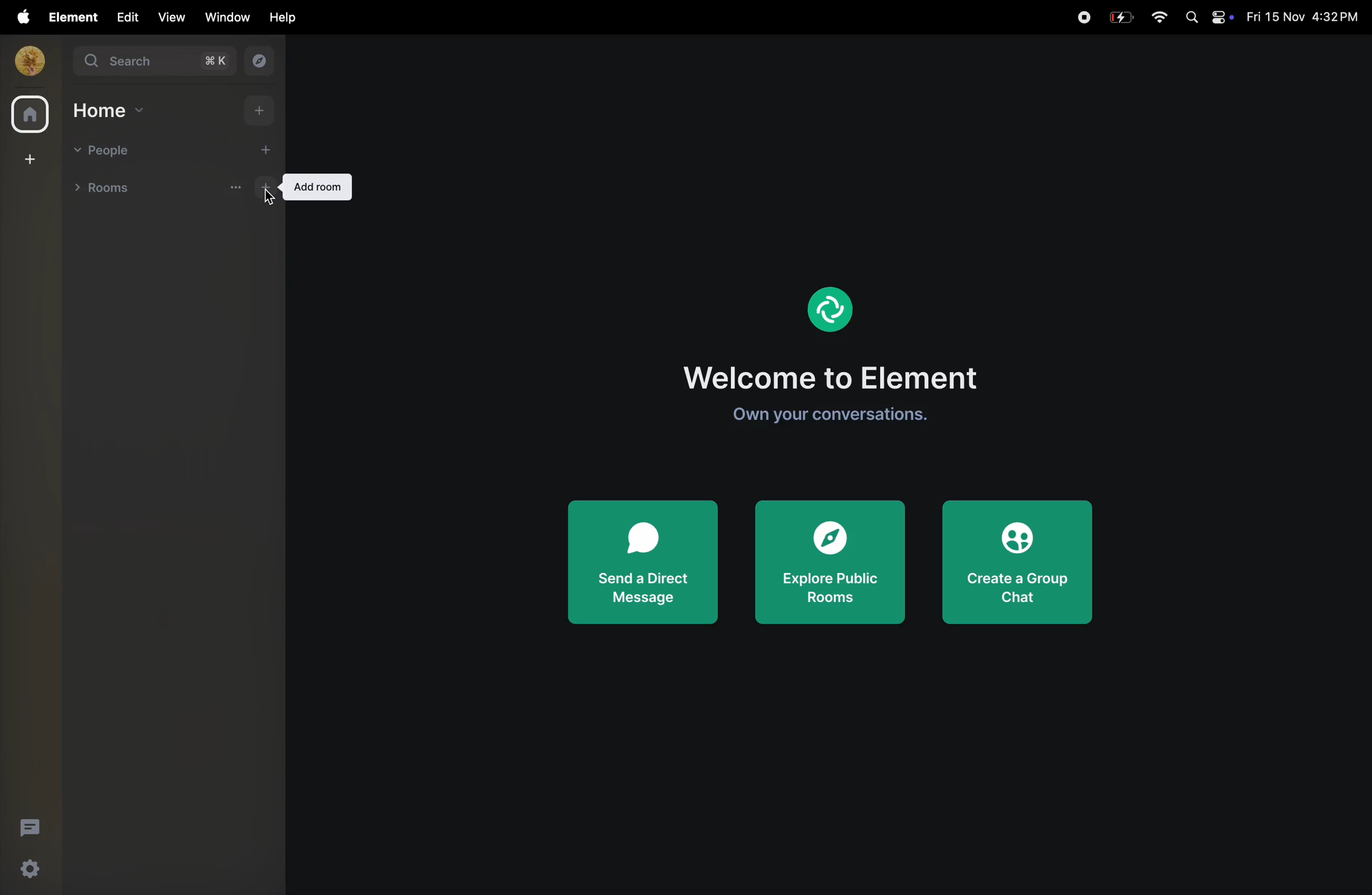 The image size is (1372, 895). What do you see at coordinates (18, 17) in the screenshot?
I see `apple menu` at bounding box center [18, 17].